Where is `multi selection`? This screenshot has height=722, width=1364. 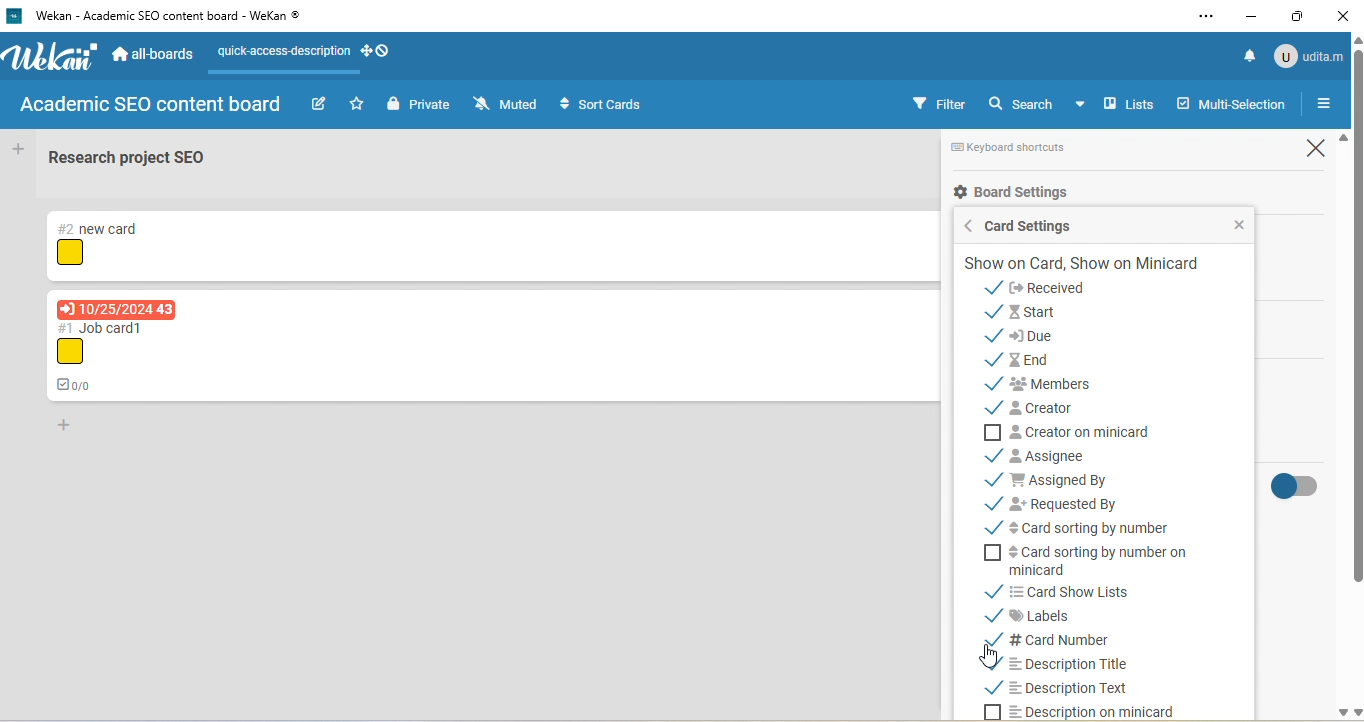 multi selection is located at coordinates (1233, 106).